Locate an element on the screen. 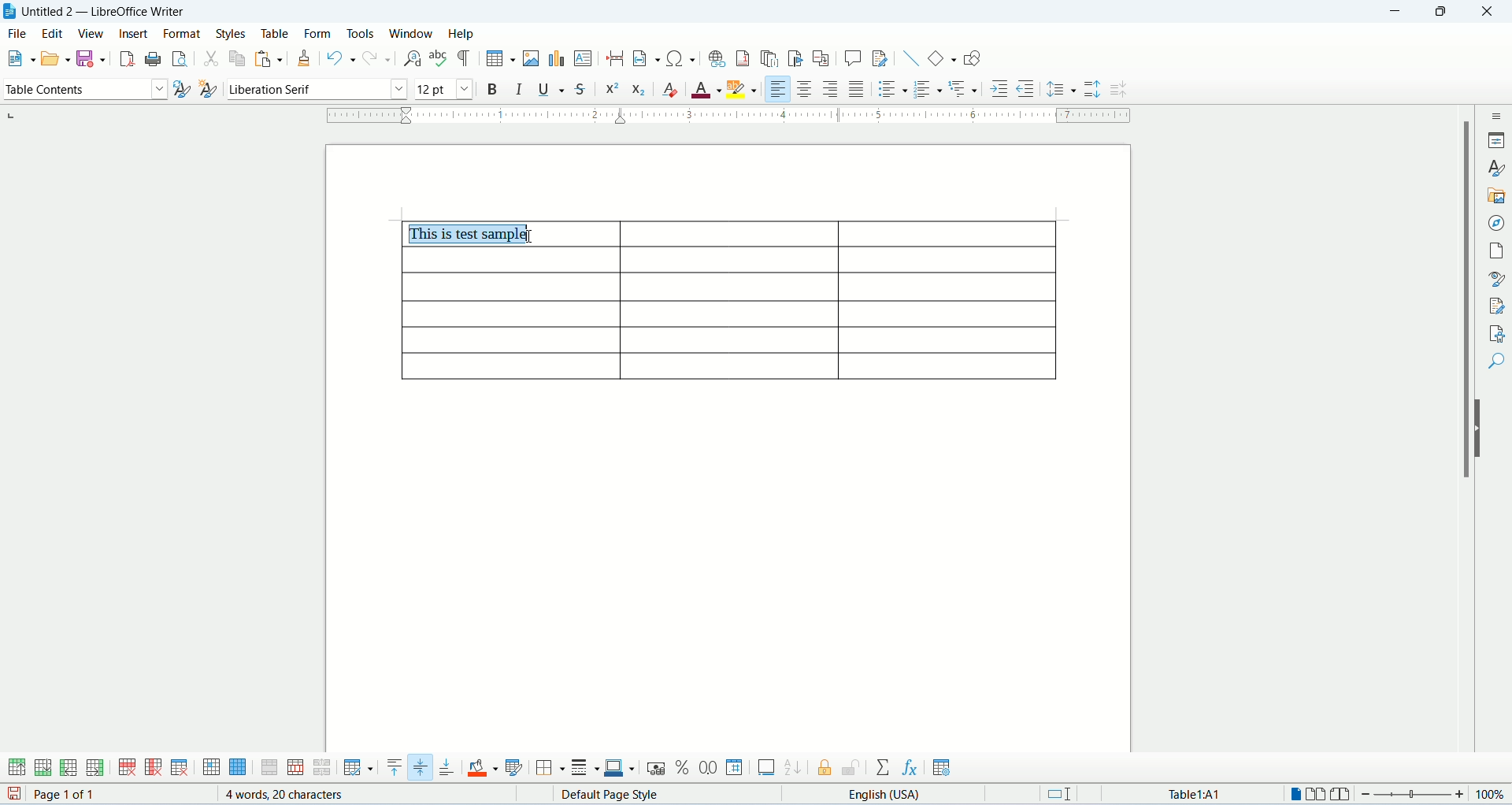 This screenshot has width=1512, height=805. zoom bar is located at coordinates (1416, 796).